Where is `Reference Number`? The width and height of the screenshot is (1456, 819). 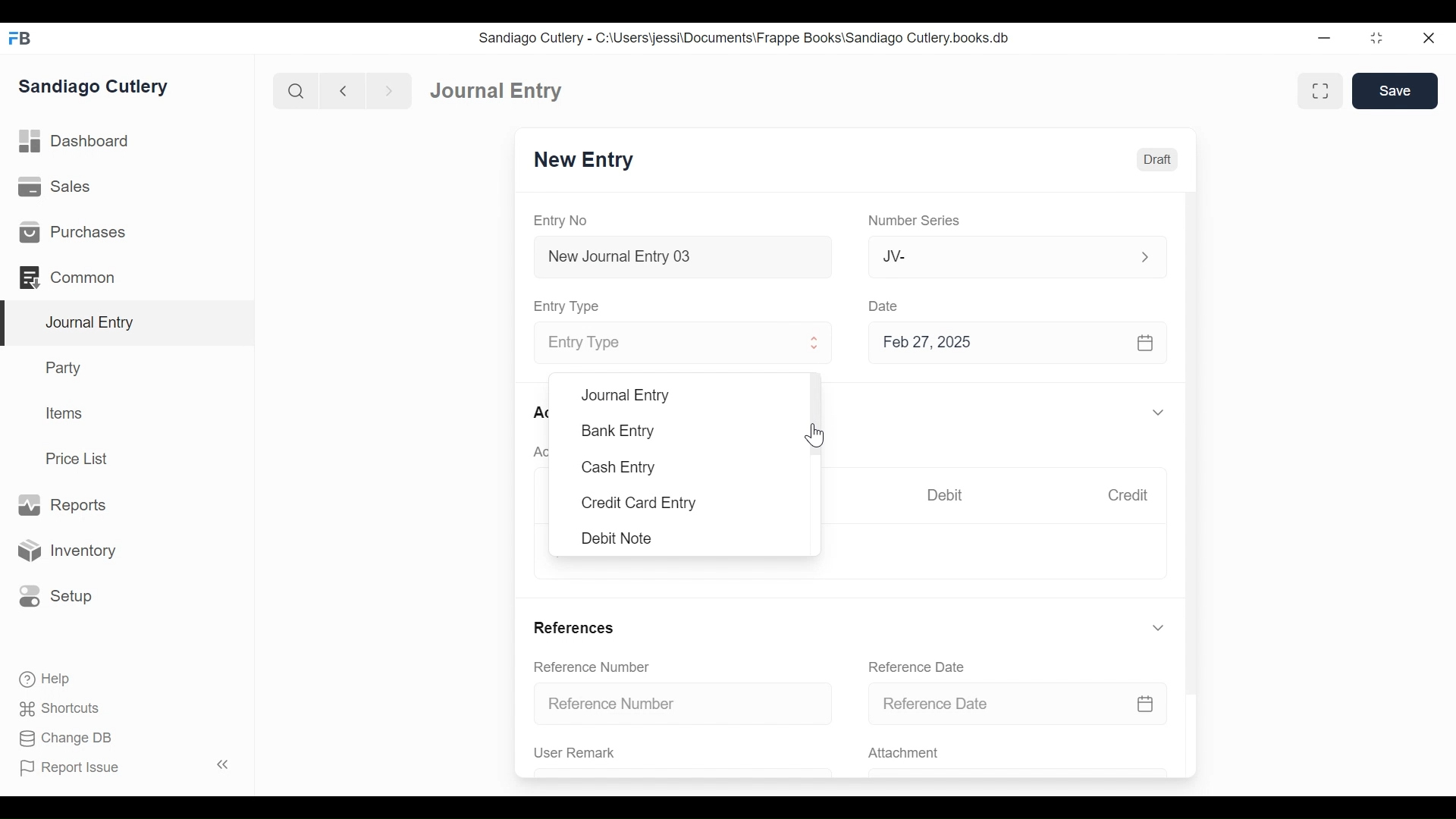
Reference Number is located at coordinates (592, 667).